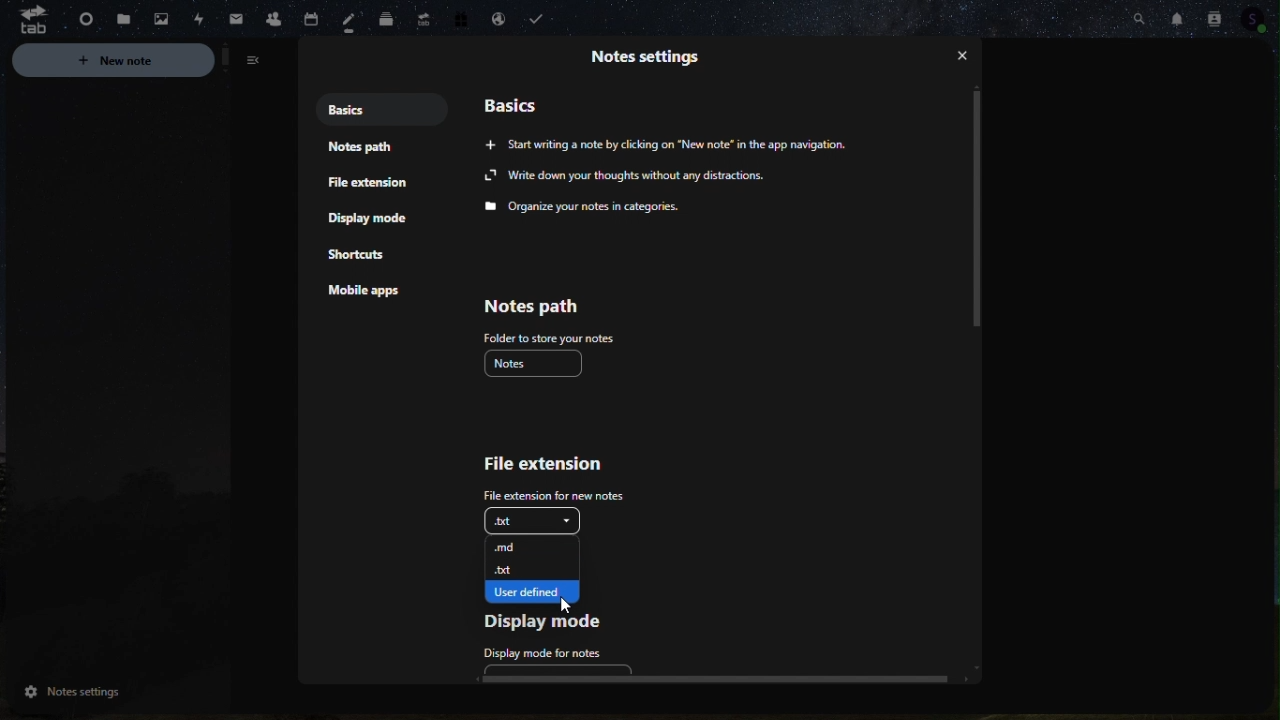  I want to click on File extension, so click(557, 477).